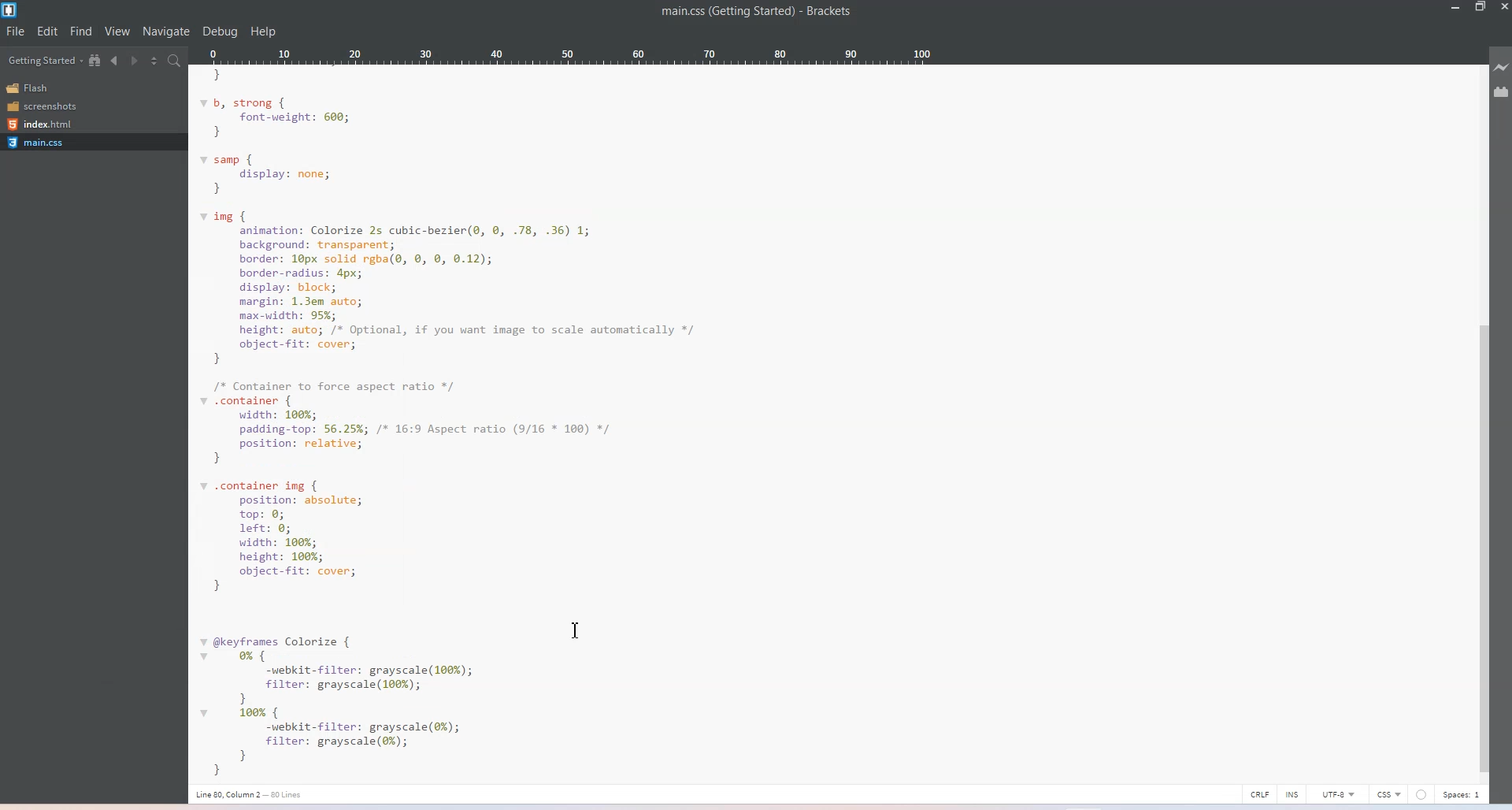 This screenshot has height=810, width=1512. What do you see at coordinates (494, 424) in the screenshot?
I see `Text 2` at bounding box center [494, 424].